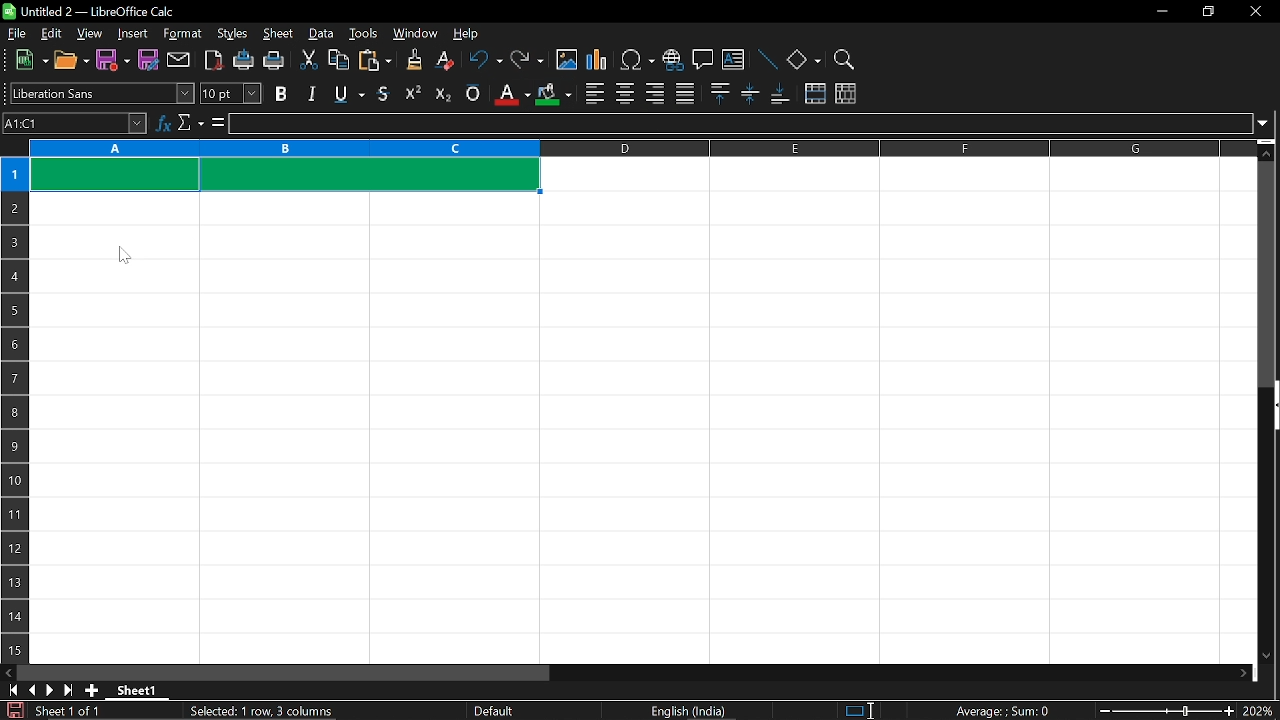  What do you see at coordinates (12, 387) in the screenshot?
I see `rows` at bounding box center [12, 387].